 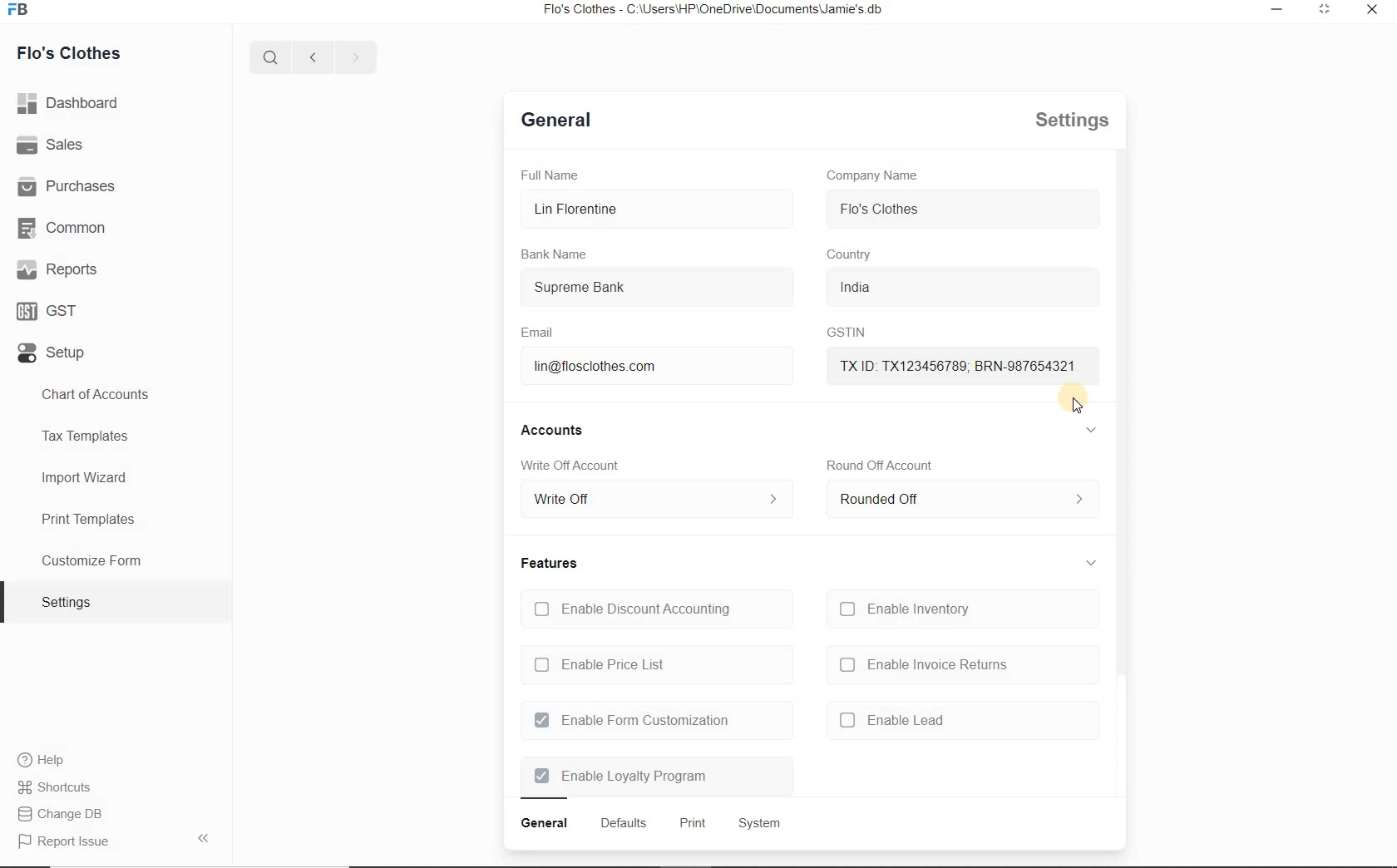 I want to click on Company Name, so click(x=873, y=175).